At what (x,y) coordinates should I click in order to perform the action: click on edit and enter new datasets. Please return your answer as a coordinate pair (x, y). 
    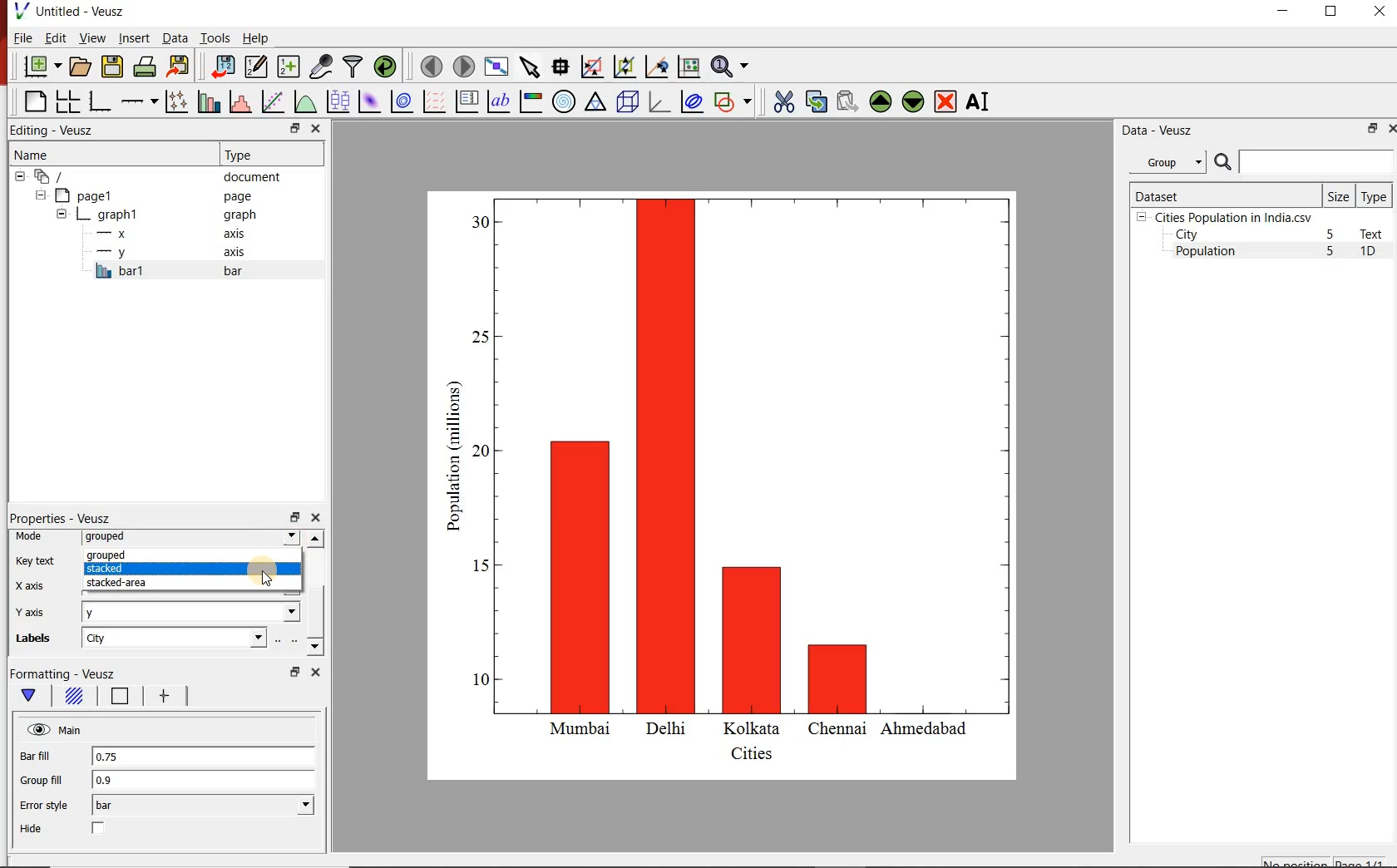
    Looking at the image, I should click on (254, 67).